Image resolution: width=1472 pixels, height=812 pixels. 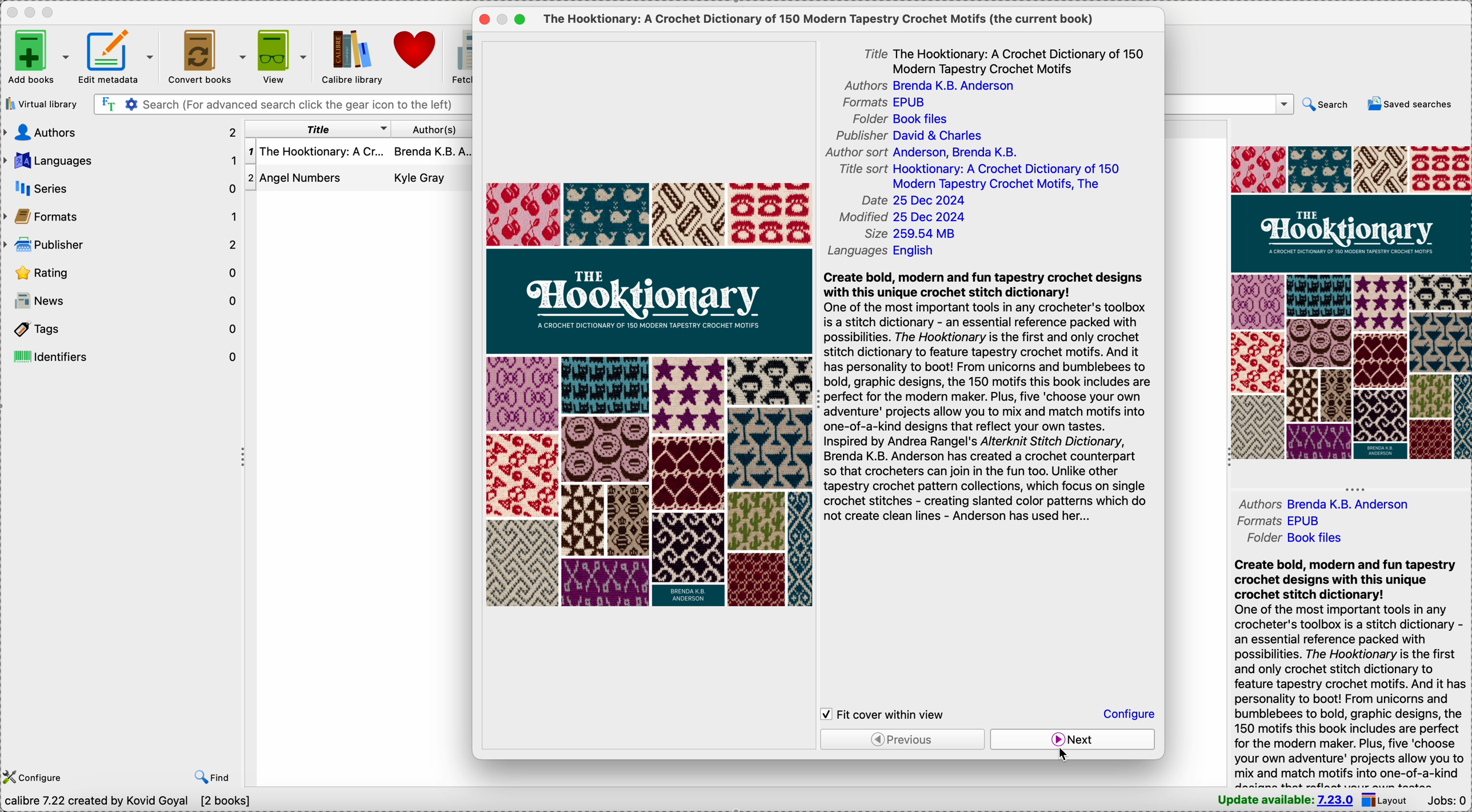 What do you see at coordinates (461, 57) in the screenshot?
I see `fetch news` at bounding box center [461, 57].